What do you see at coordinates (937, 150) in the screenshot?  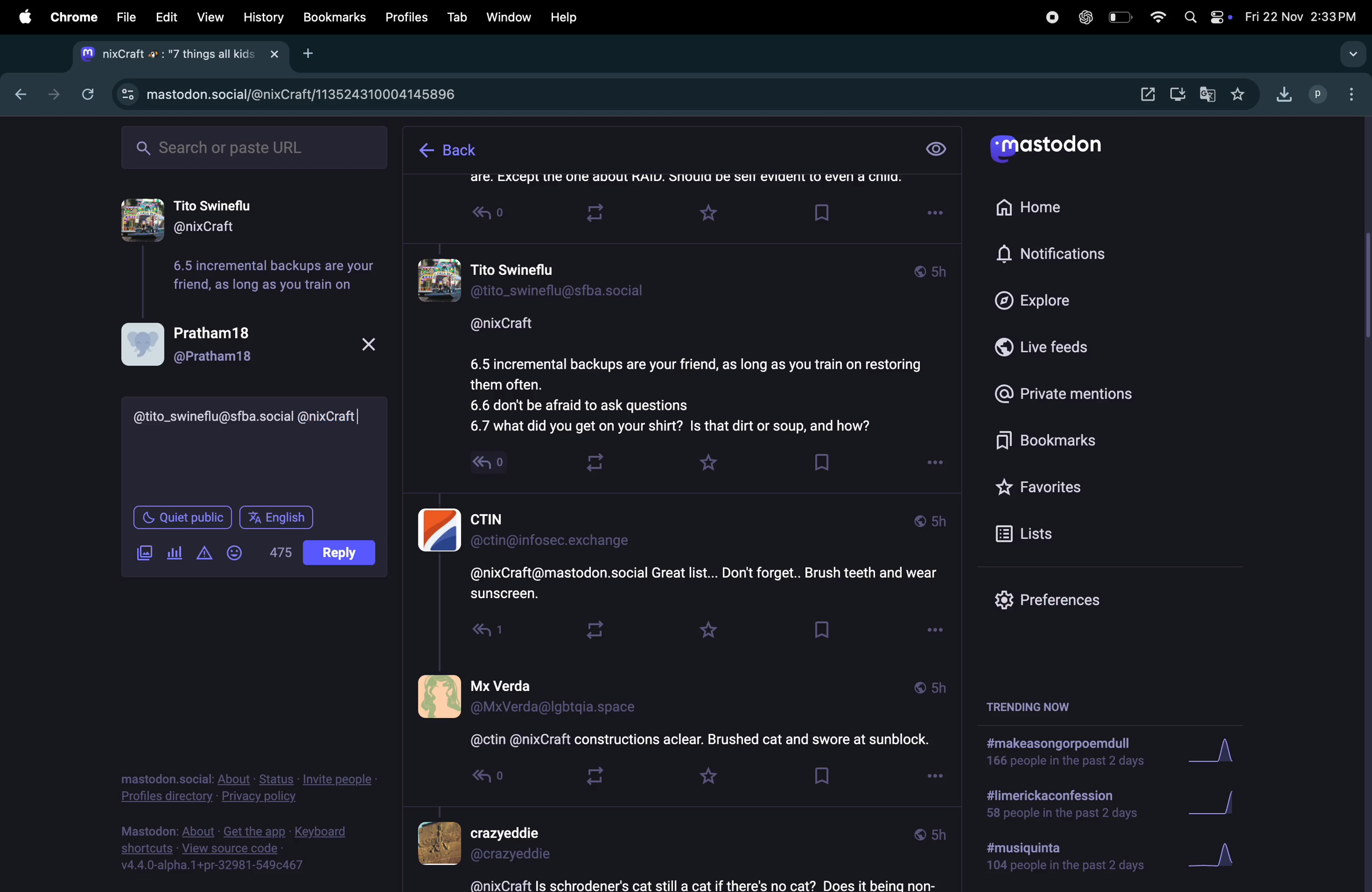 I see `view` at bounding box center [937, 150].